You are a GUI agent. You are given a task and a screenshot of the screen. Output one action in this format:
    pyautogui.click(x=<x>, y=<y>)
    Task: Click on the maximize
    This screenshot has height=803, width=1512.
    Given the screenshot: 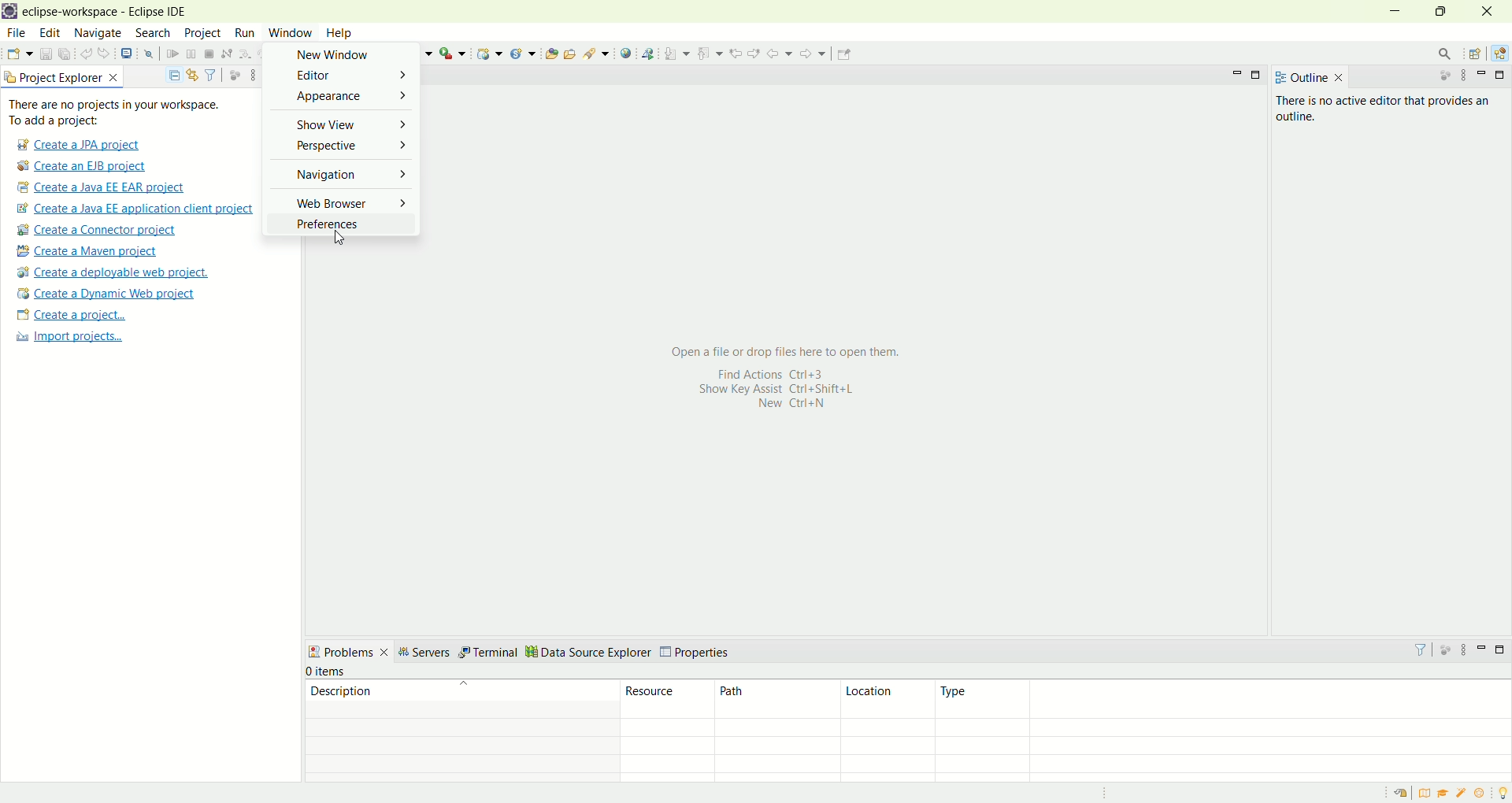 What is the action you would take?
    pyautogui.click(x=1503, y=75)
    